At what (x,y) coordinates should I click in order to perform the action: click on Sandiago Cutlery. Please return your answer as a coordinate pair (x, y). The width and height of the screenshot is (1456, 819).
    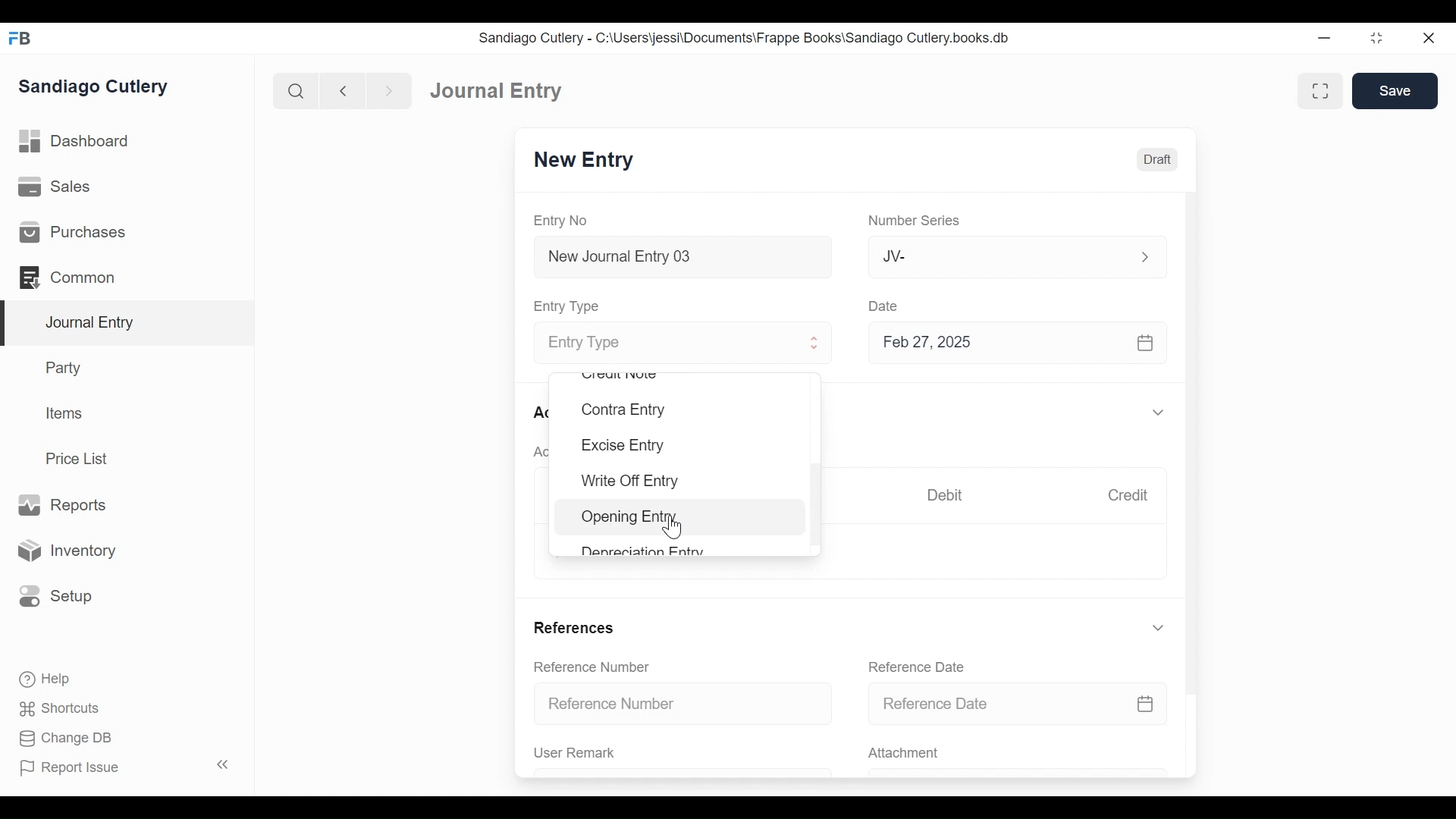
    Looking at the image, I should click on (96, 88).